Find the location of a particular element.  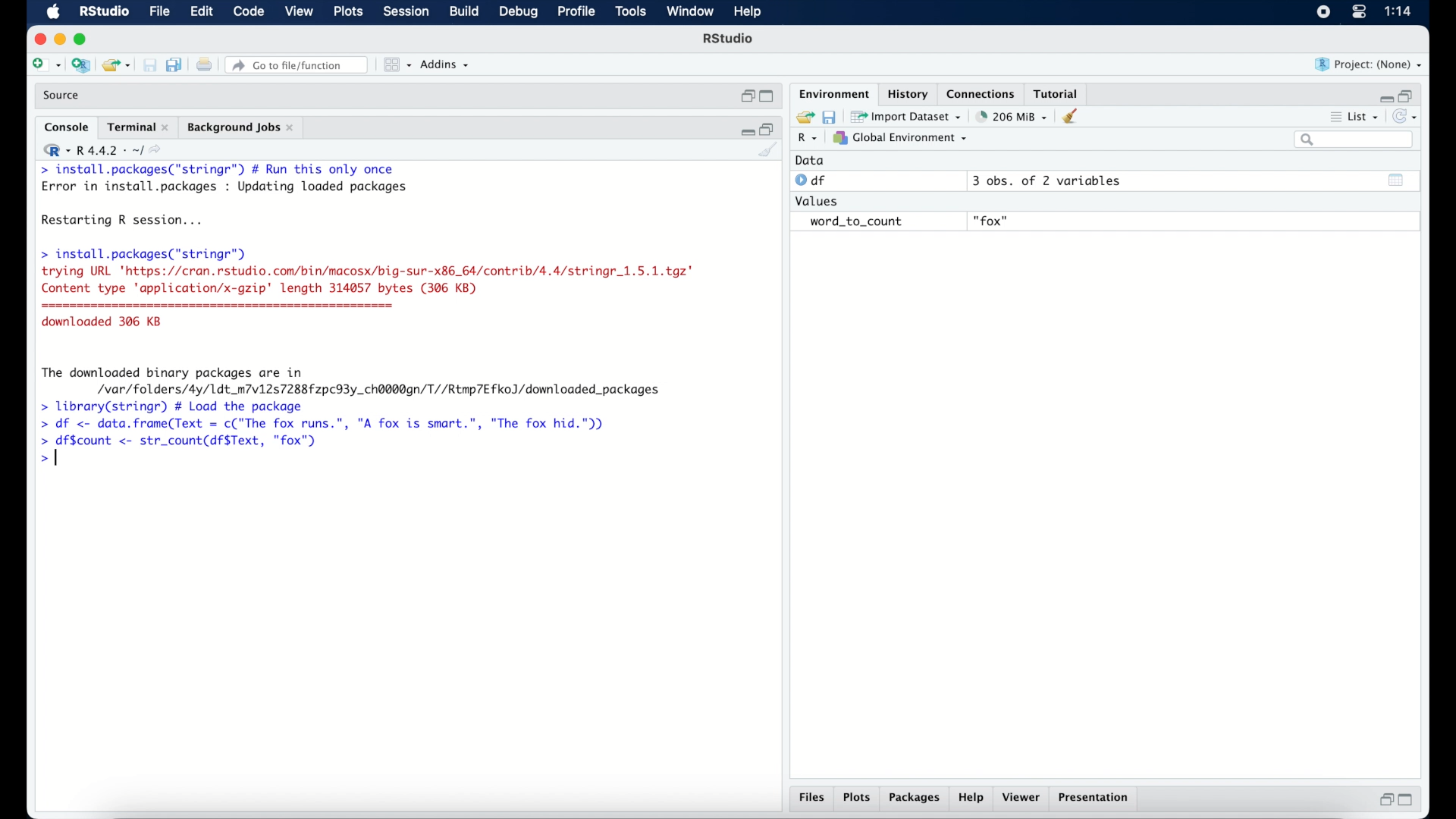

connections is located at coordinates (983, 93).